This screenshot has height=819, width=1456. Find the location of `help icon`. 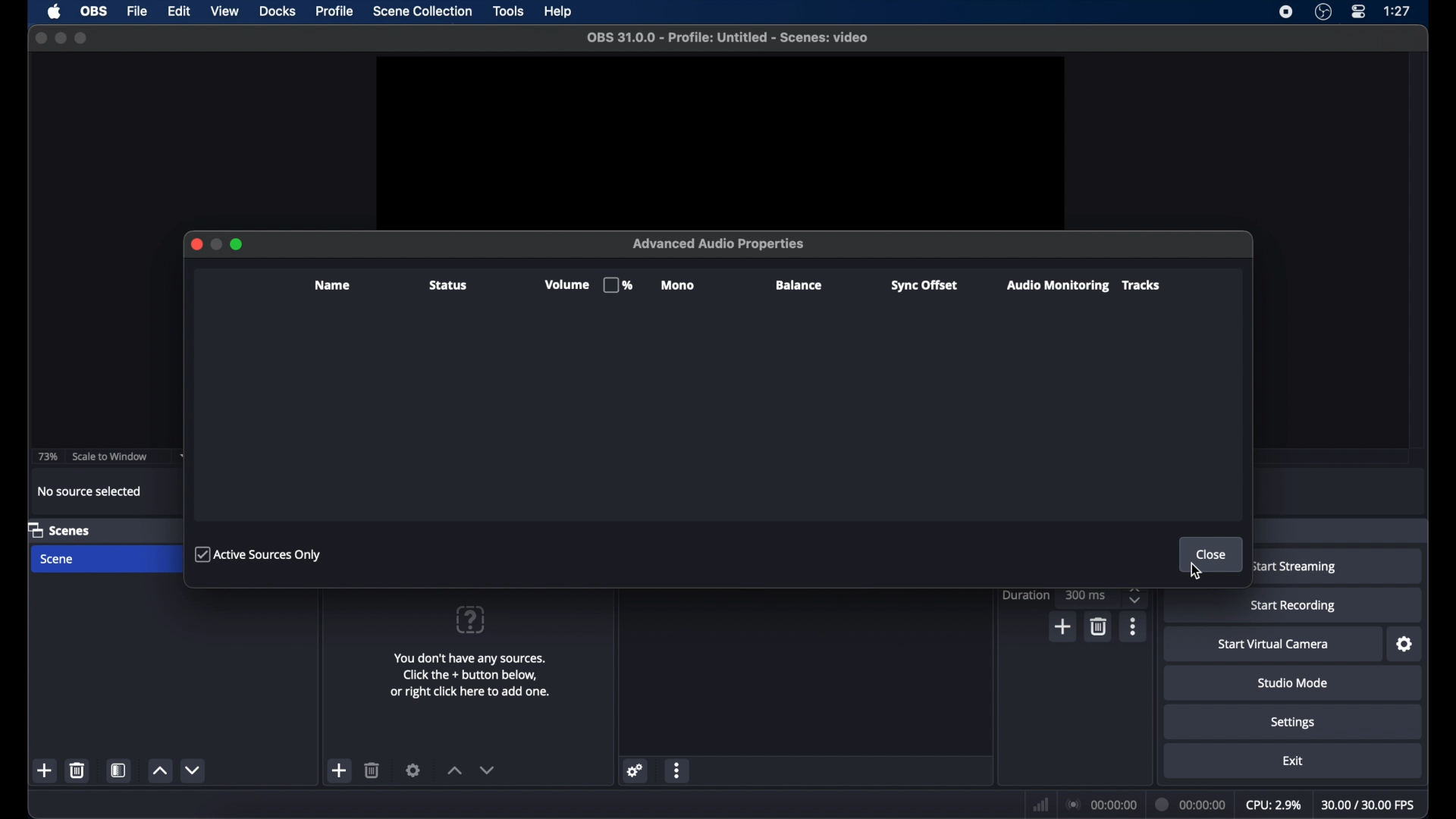

help icon is located at coordinates (469, 619).